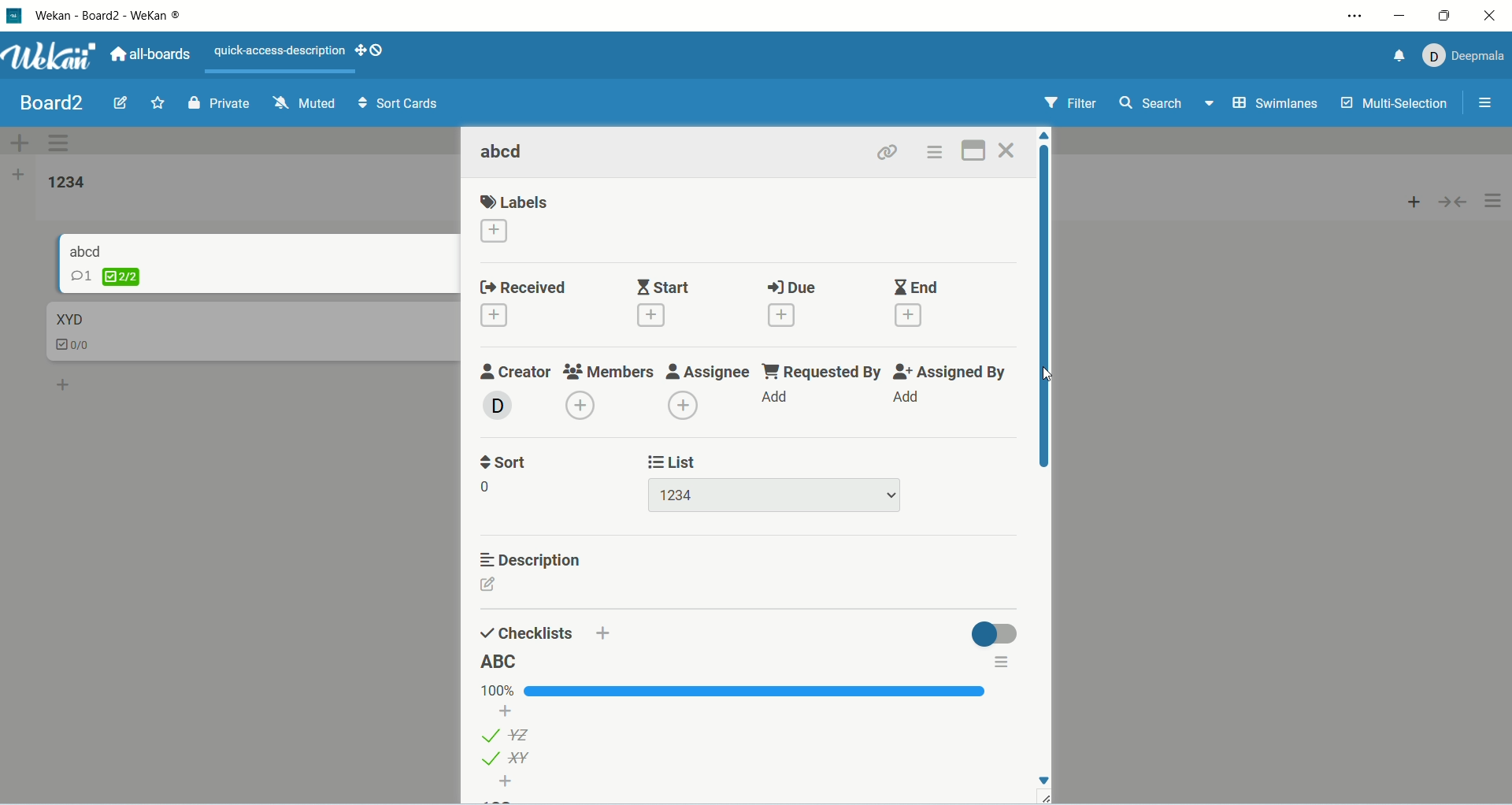 This screenshot has height=805, width=1512. What do you see at coordinates (507, 710) in the screenshot?
I see `add` at bounding box center [507, 710].